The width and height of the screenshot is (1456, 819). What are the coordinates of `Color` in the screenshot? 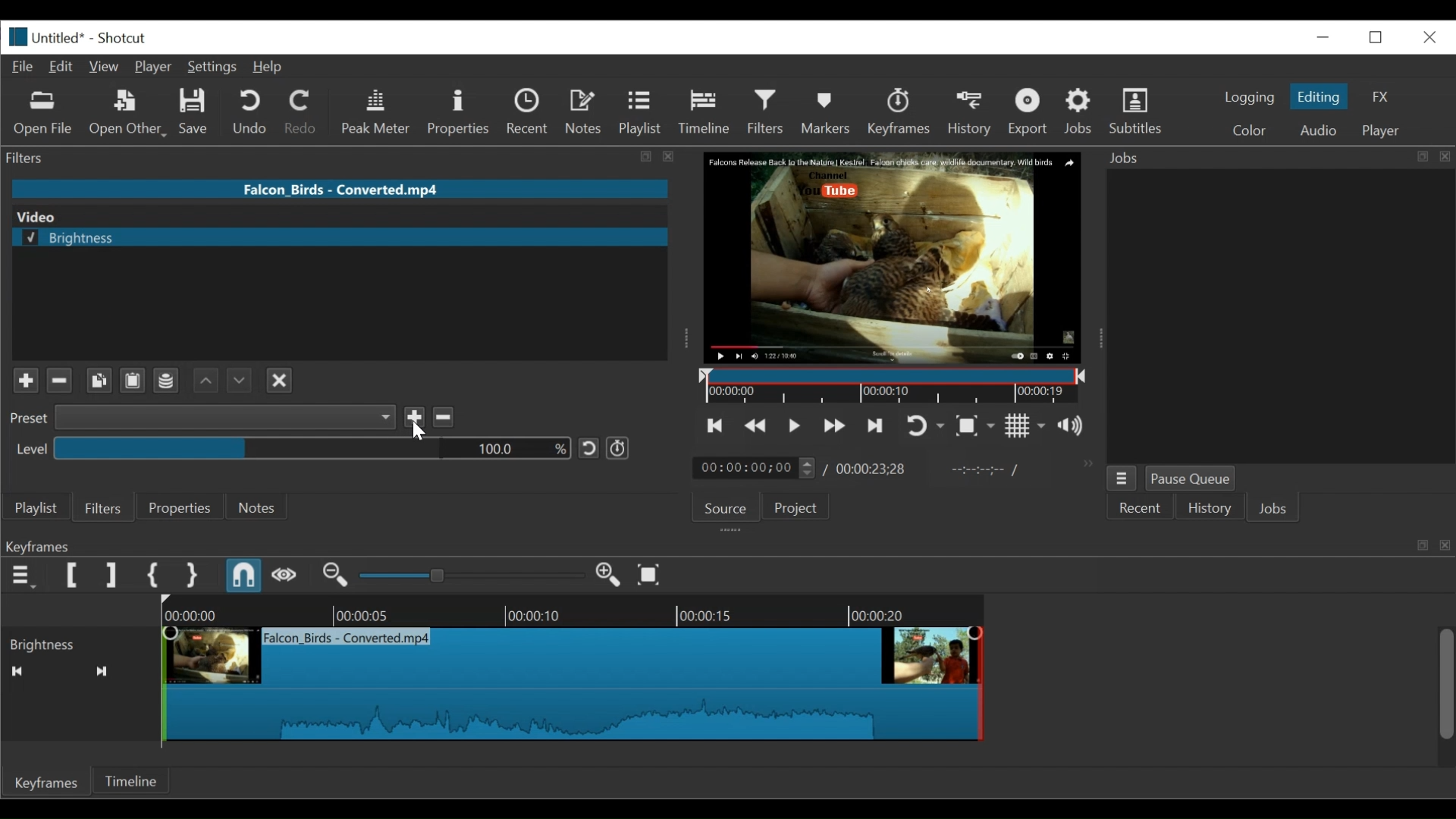 It's located at (1250, 129).